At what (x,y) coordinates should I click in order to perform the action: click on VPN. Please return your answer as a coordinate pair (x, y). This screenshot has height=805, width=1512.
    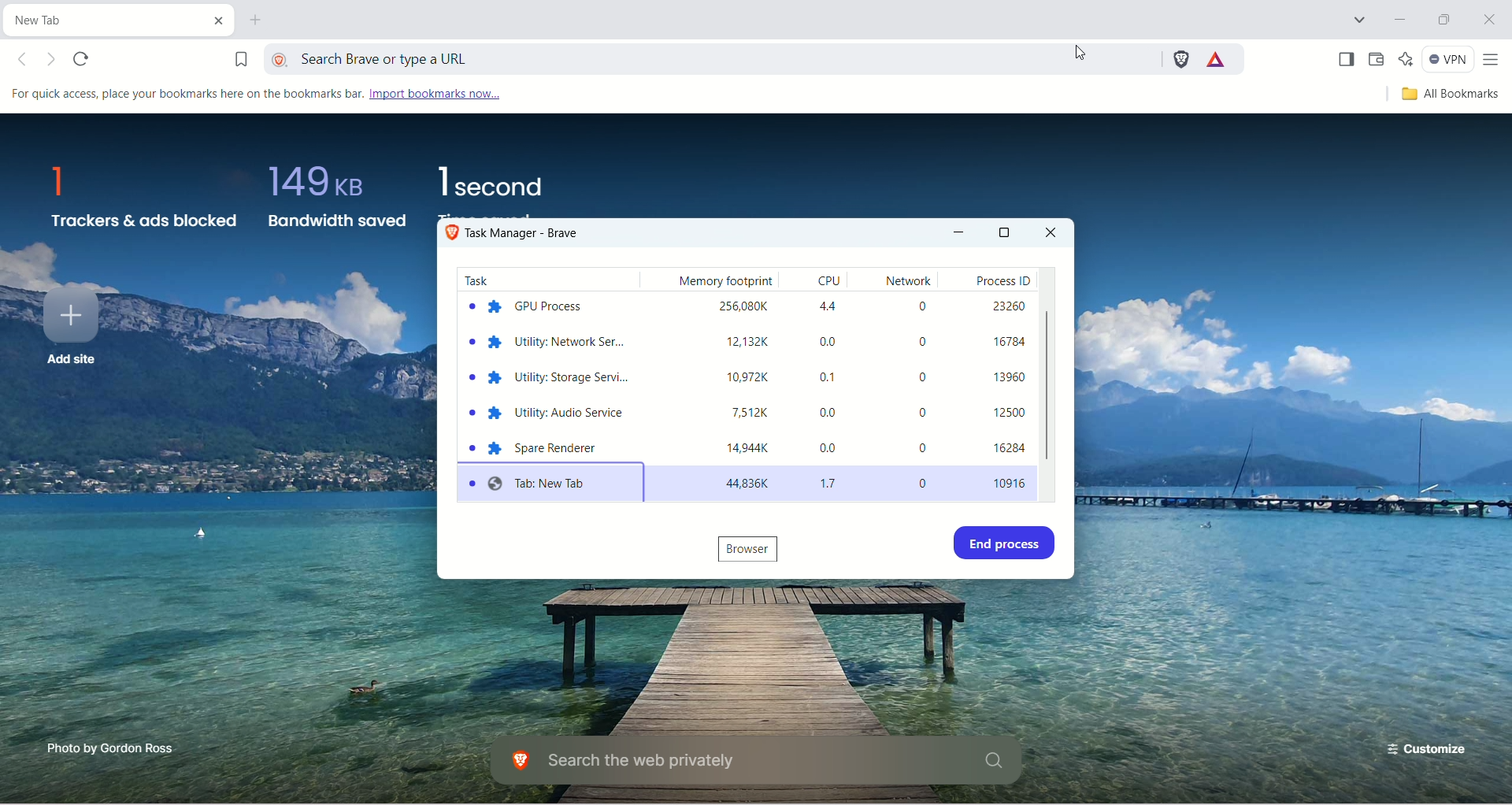
    Looking at the image, I should click on (1447, 58).